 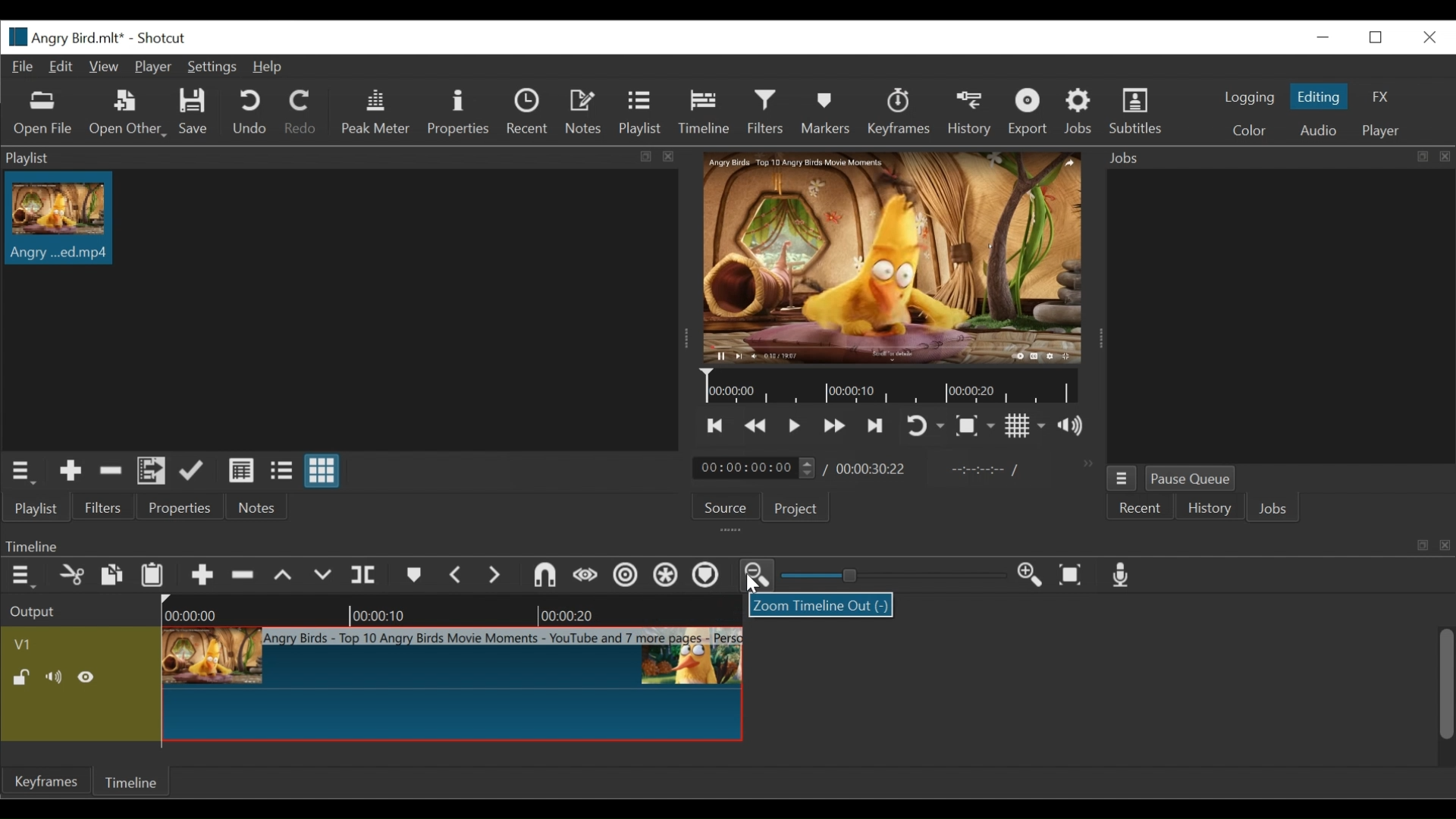 What do you see at coordinates (285, 575) in the screenshot?
I see `lift` at bounding box center [285, 575].